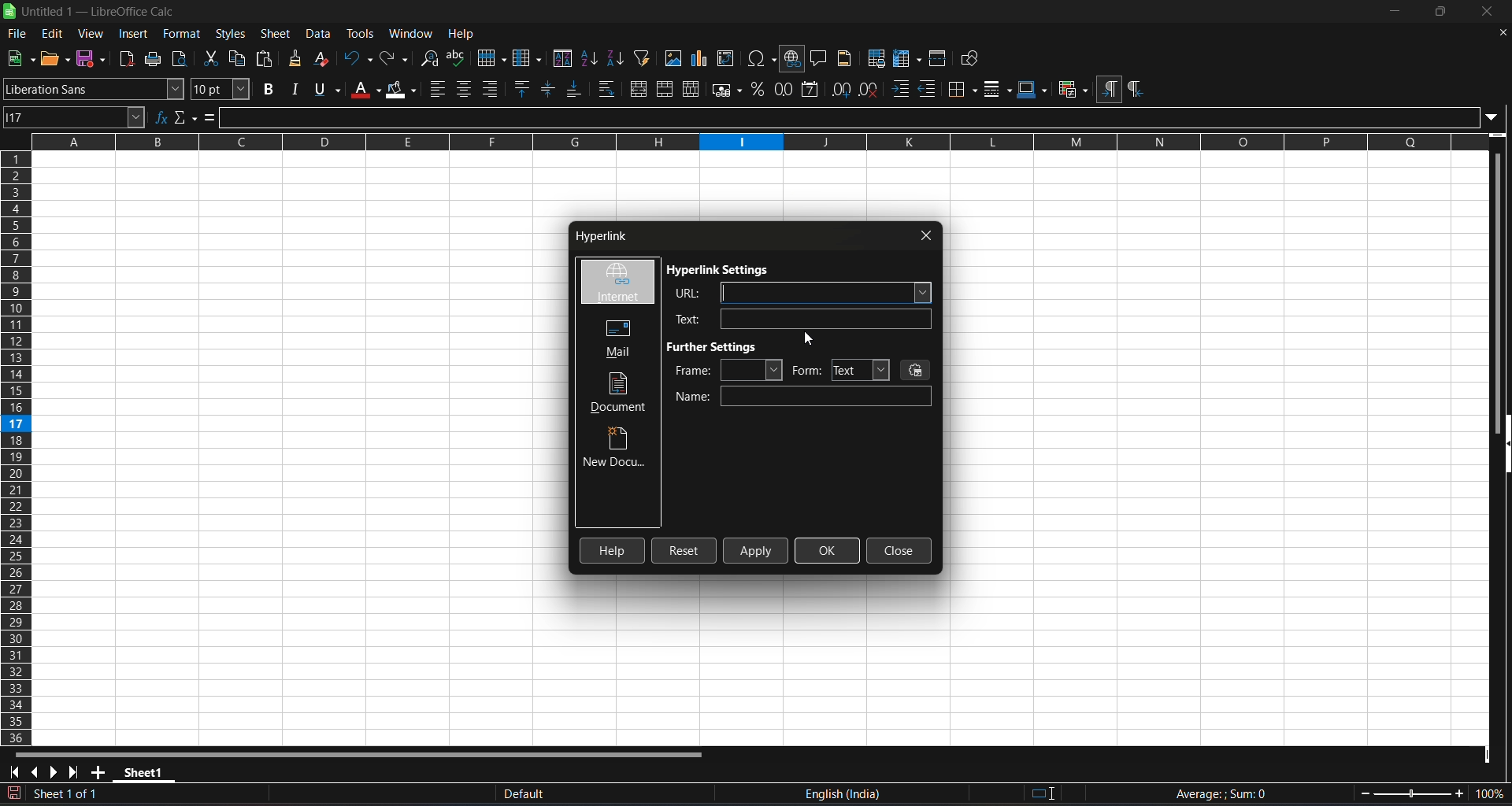  What do you see at coordinates (1502, 33) in the screenshot?
I see `close document` at bounding box center [1502, 33].